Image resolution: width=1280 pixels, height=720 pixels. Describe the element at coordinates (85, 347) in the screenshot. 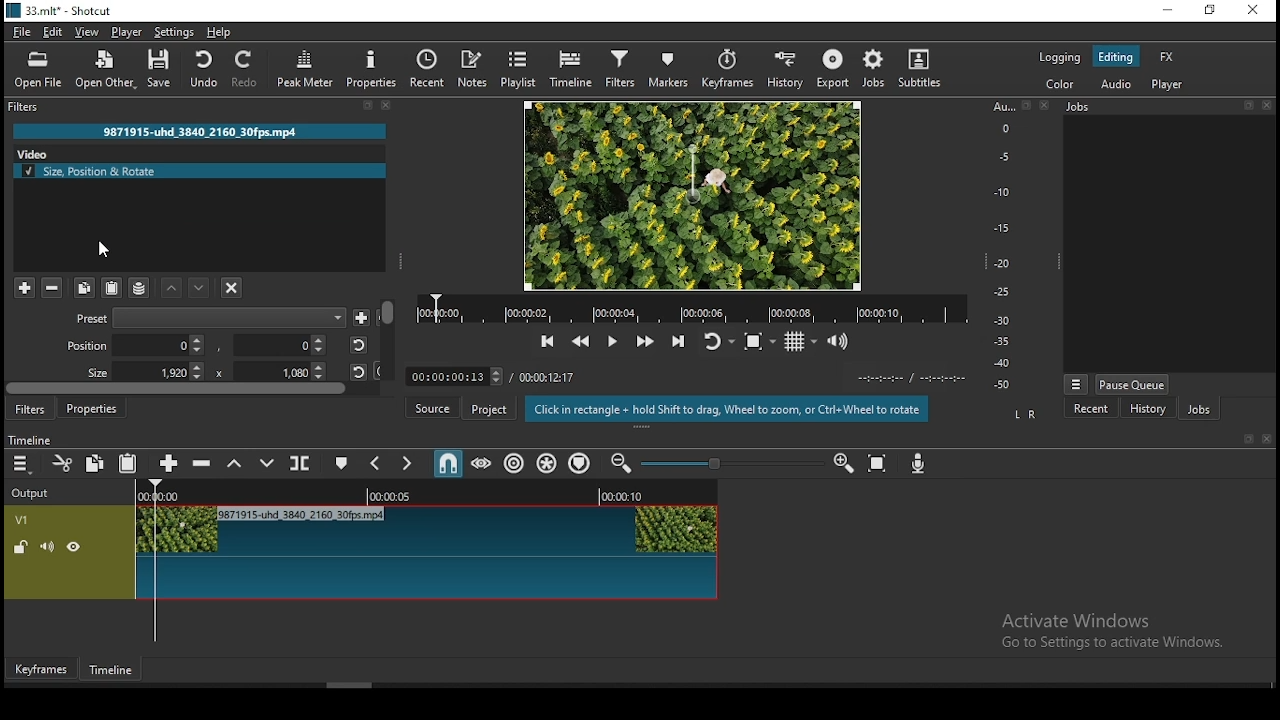

I see `Position` at that location.